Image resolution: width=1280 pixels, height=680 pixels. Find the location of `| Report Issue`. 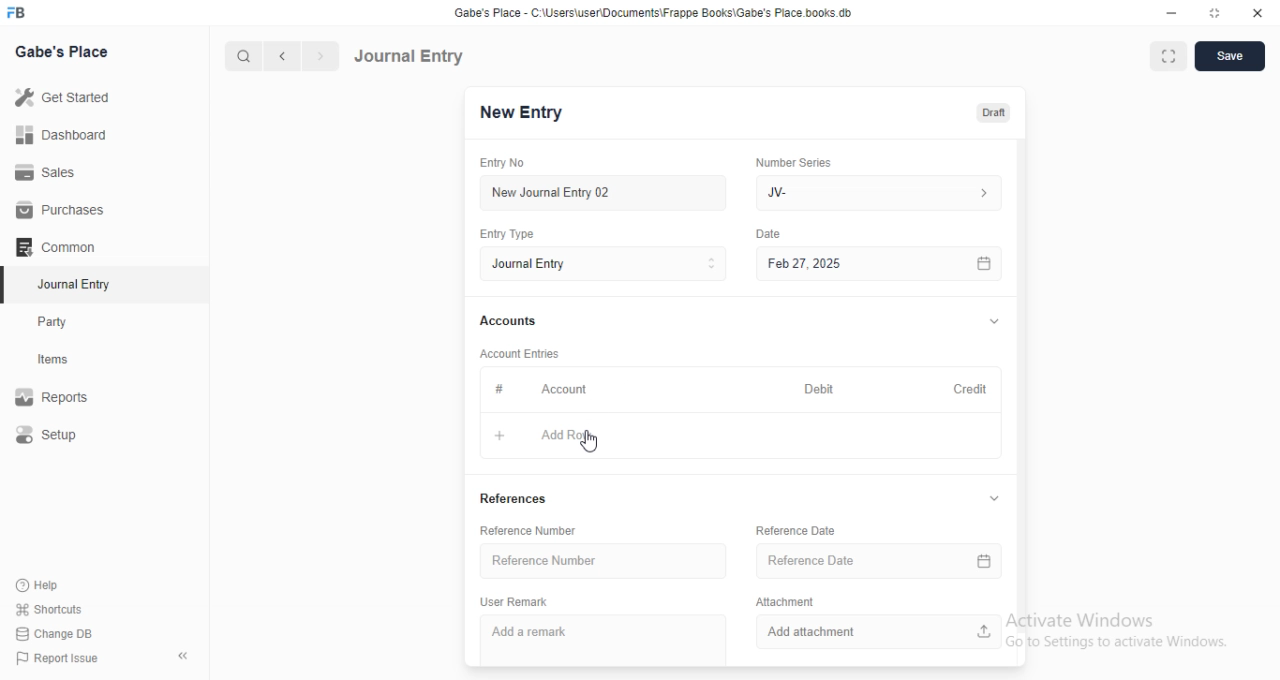

| Report Issue is located at coordinates (59, 658).